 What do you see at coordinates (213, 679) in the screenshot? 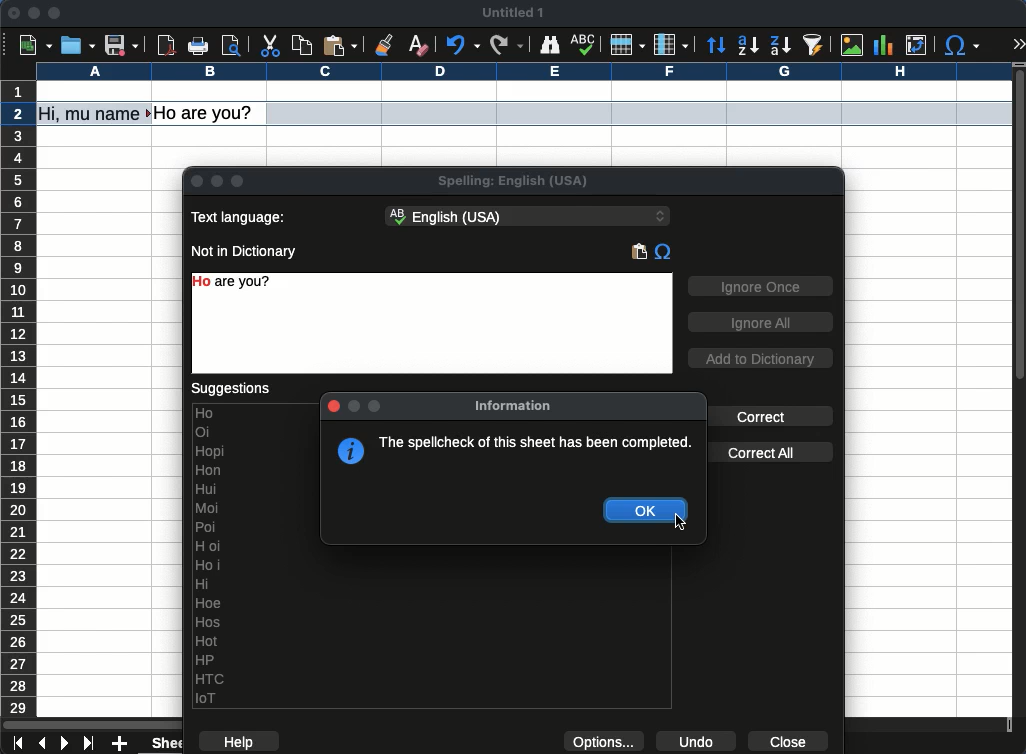
I see `HT` at bounding box center [213, 679].